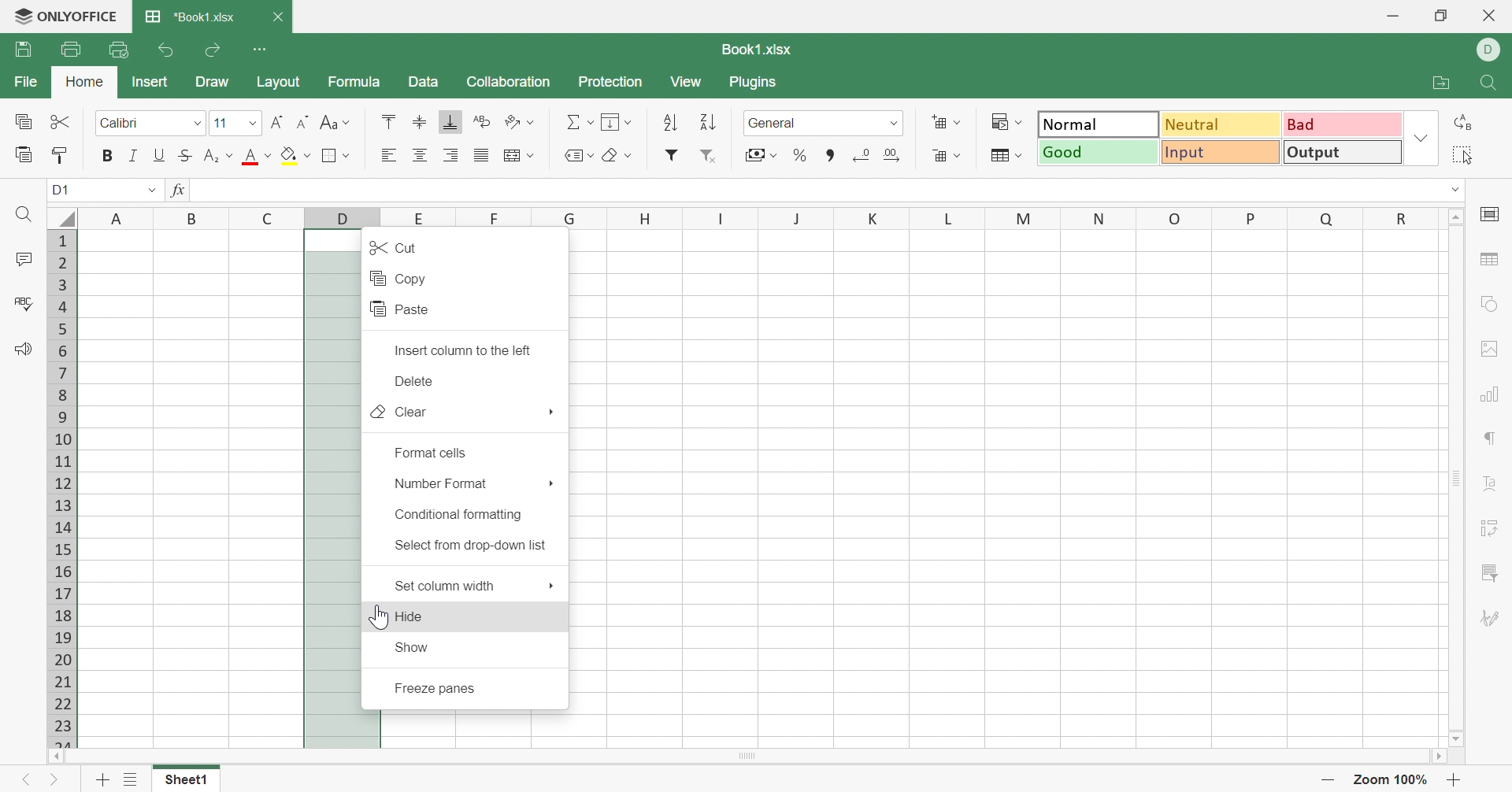 The height and width of the screenshot is (792, 1512). What do you see at coordinates (1221, 152) in the screenshot?
I see `Input` at bounding box center [1221, 152].